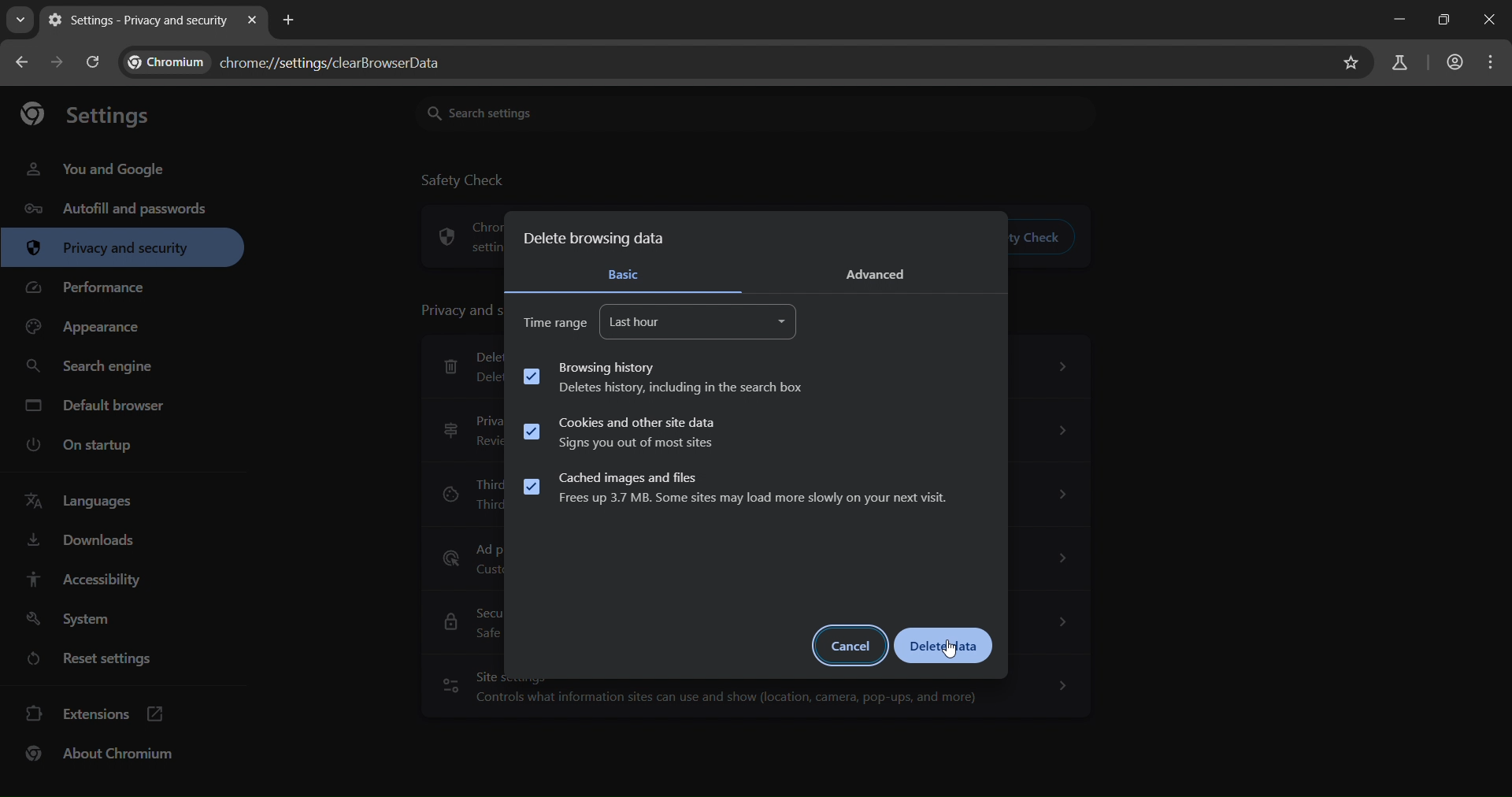 This screenshot has width=1512, height=797. What do you see at coordinates (22, 65) in the screenshot?
I see `go back one page` at bounding box center [22, 65].